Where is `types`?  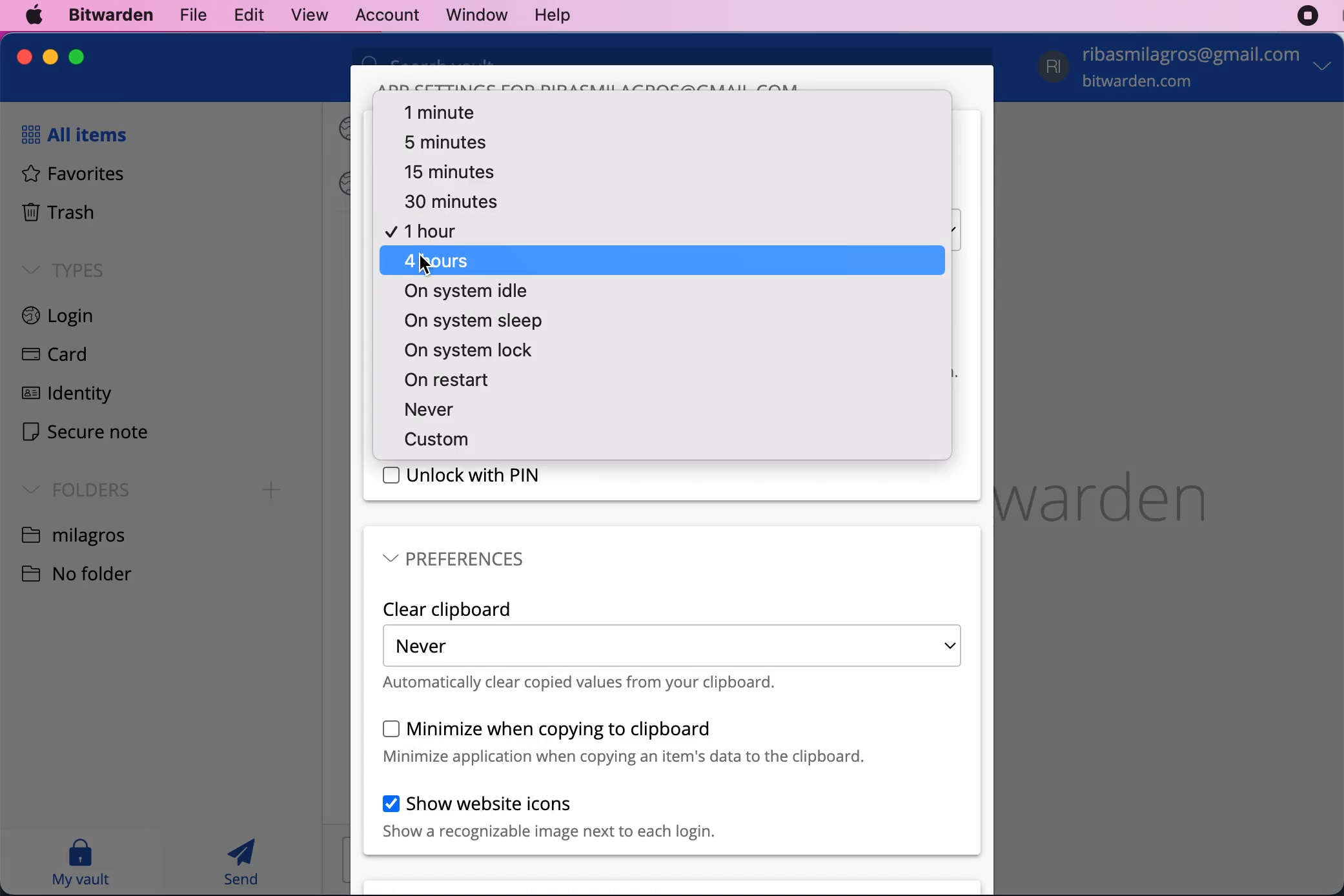 types is located at coordinates (63, 269).